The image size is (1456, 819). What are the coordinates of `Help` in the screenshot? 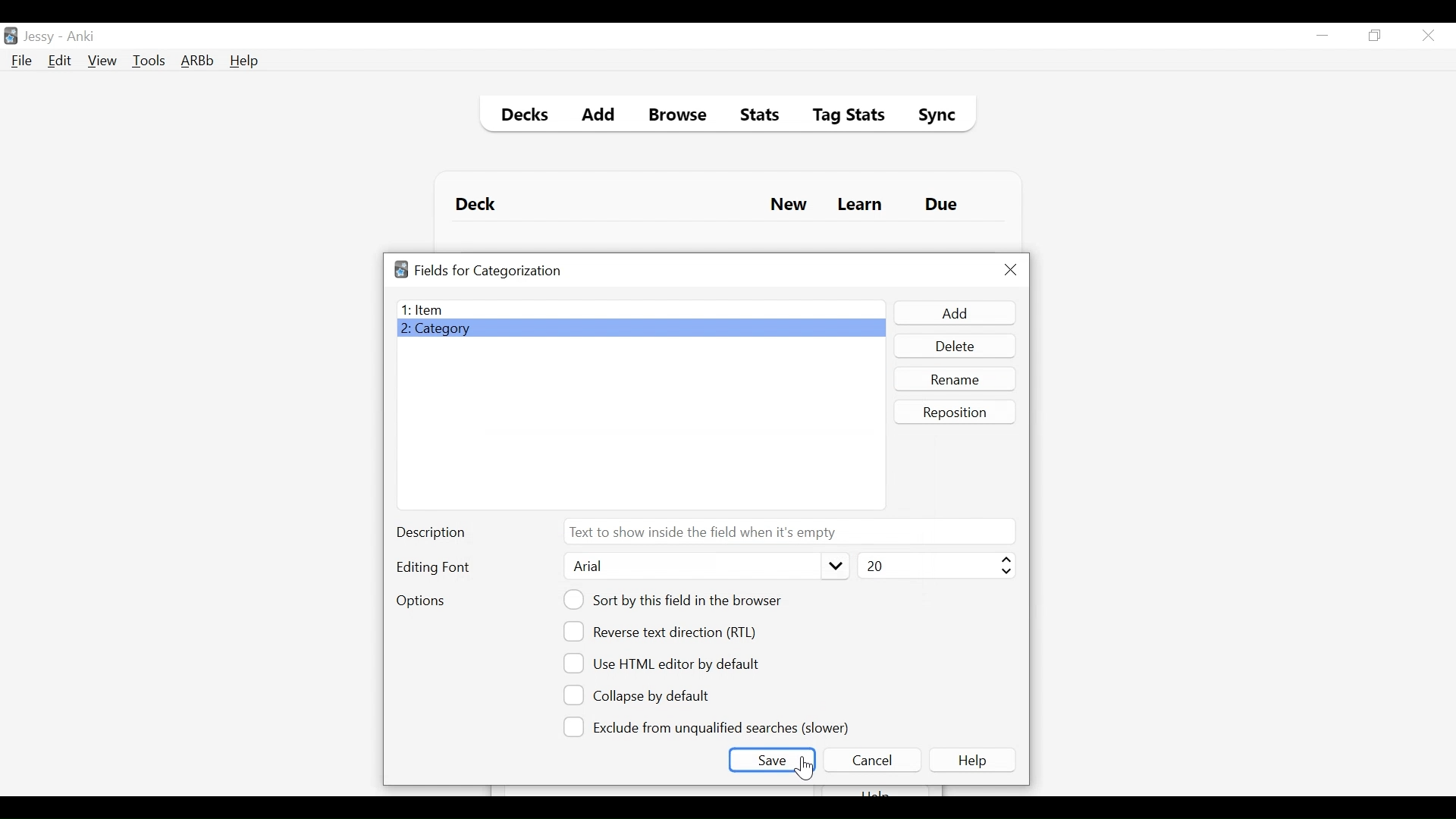 It's located at (975, 760).